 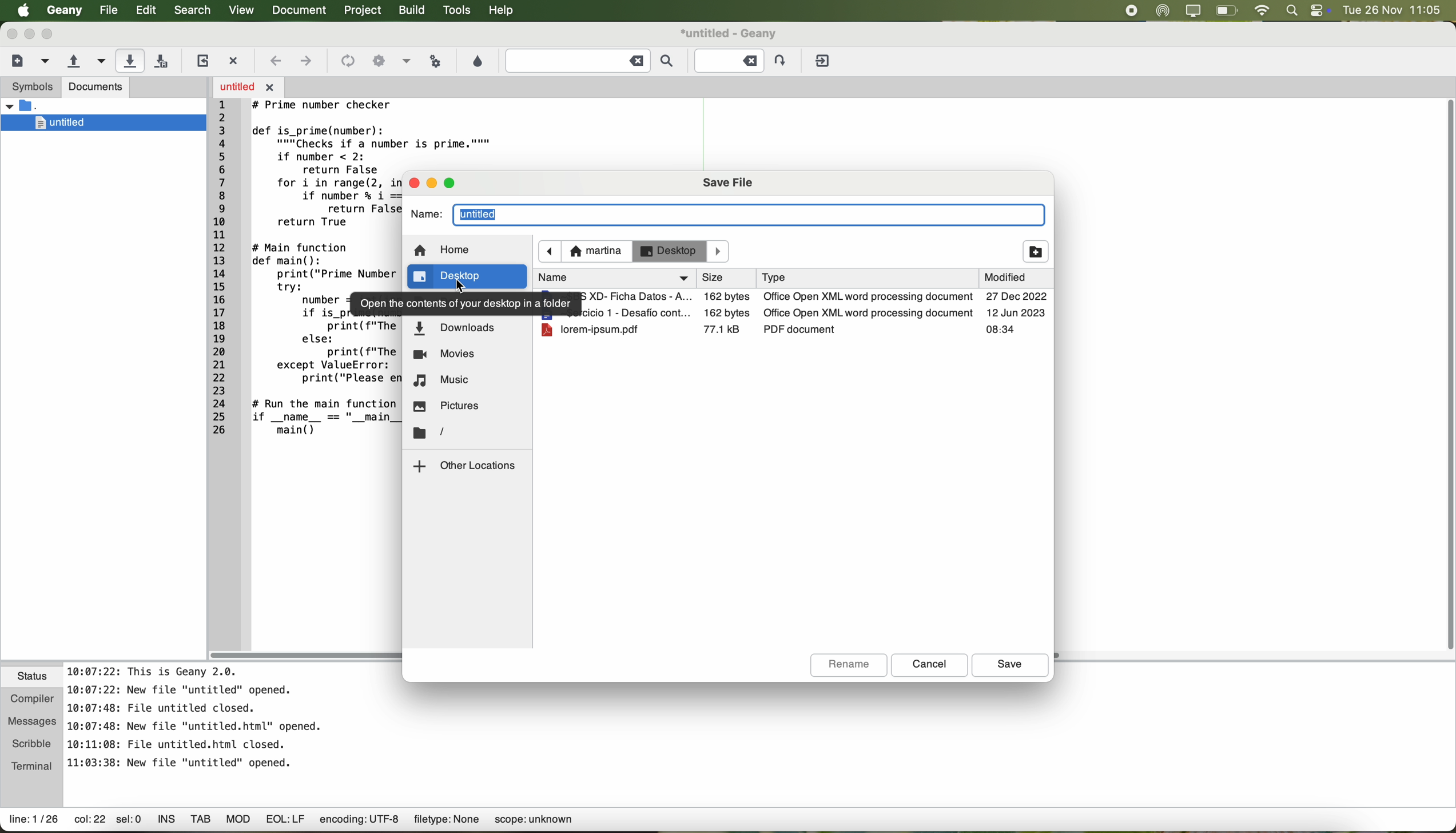 What do you see at coordinates (671, 252) in the screenshot?
I see `desktop` at bounding box center [671, 252].